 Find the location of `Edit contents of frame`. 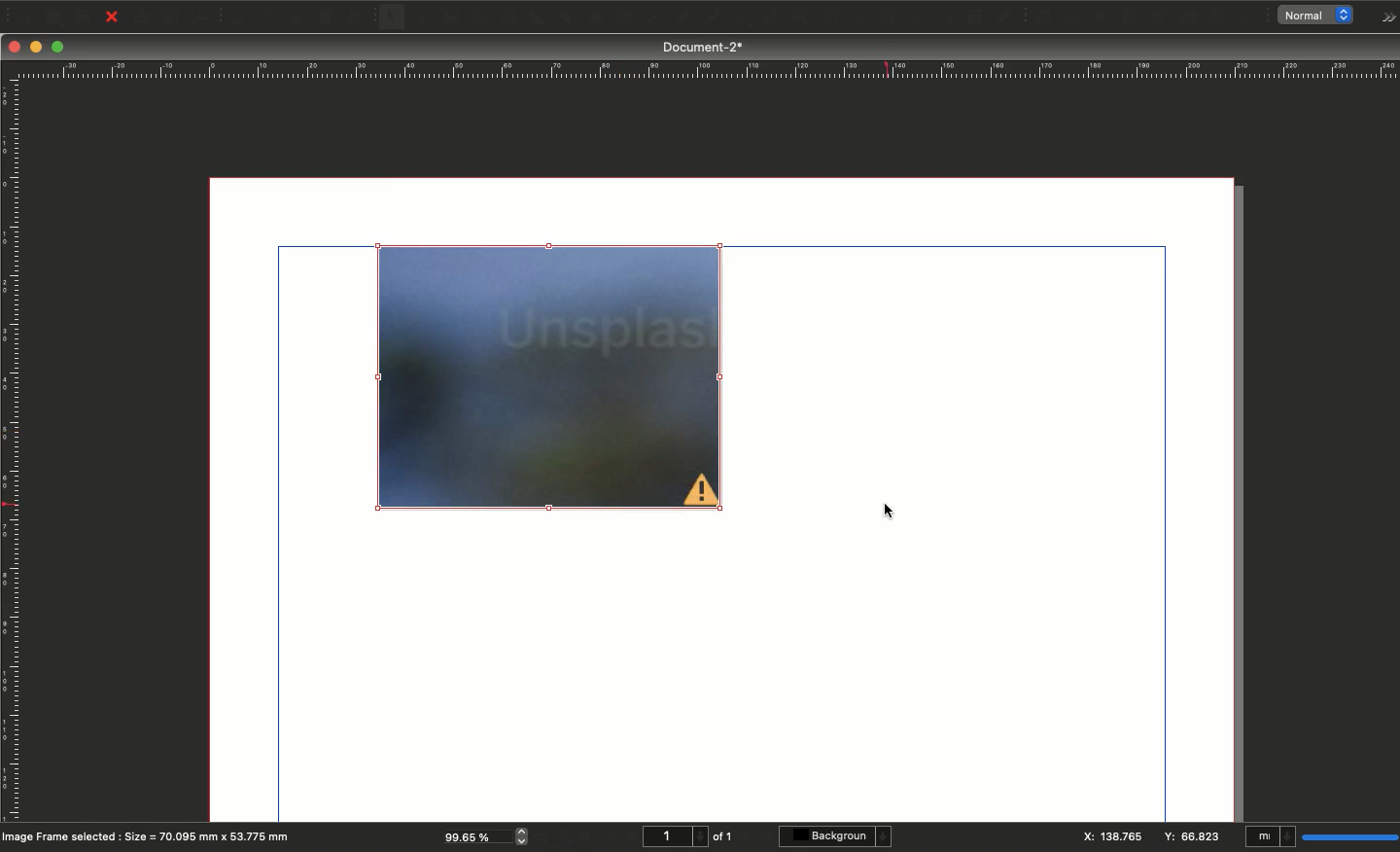

Edit contents of frame is located at coordinates (810, 18).